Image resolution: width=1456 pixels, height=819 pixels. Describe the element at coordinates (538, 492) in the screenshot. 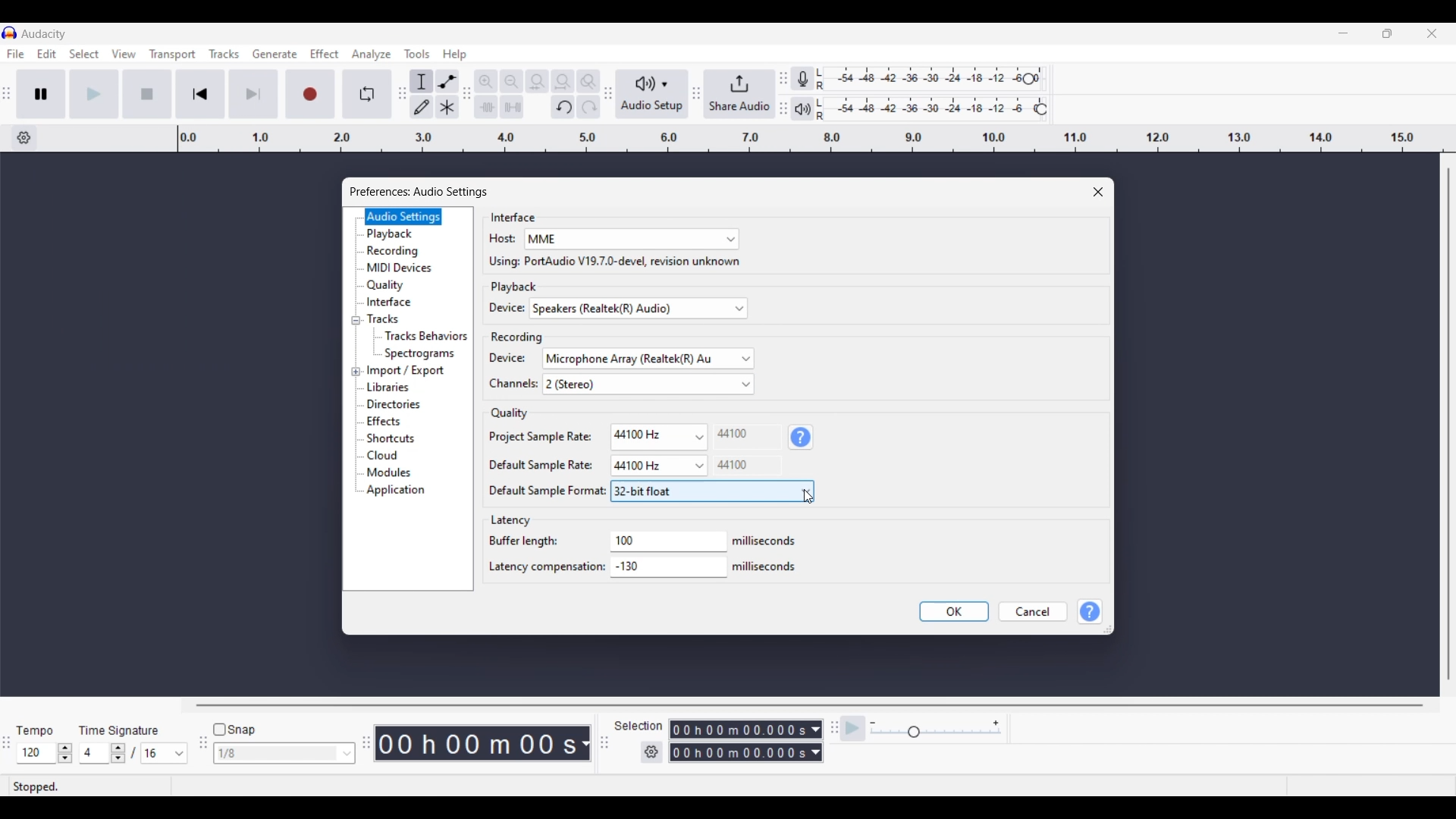

I see `Default Sample Format:` at that location.